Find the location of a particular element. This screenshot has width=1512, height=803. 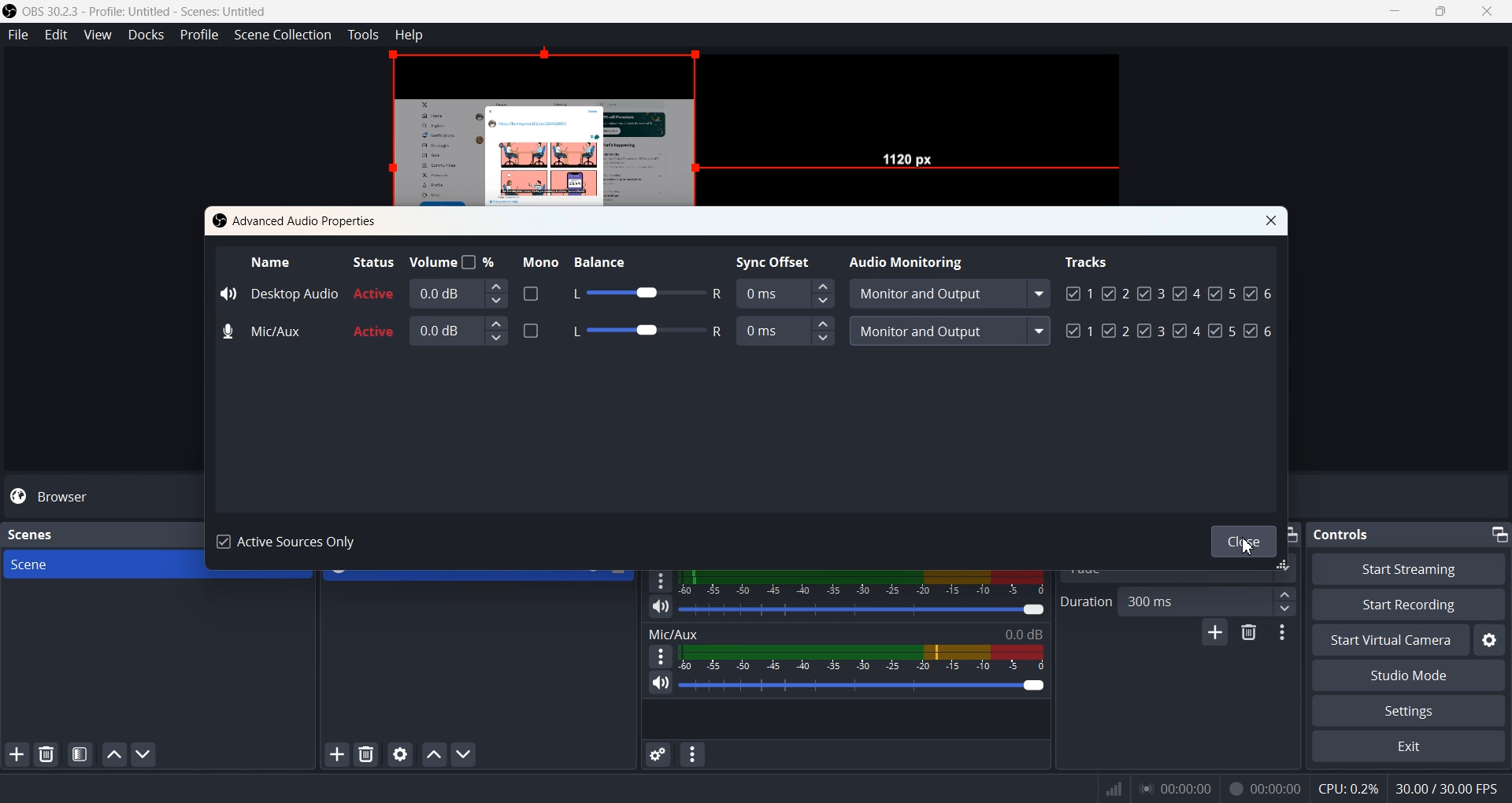

Volume Adjuster is located at coordinates (862, 685).